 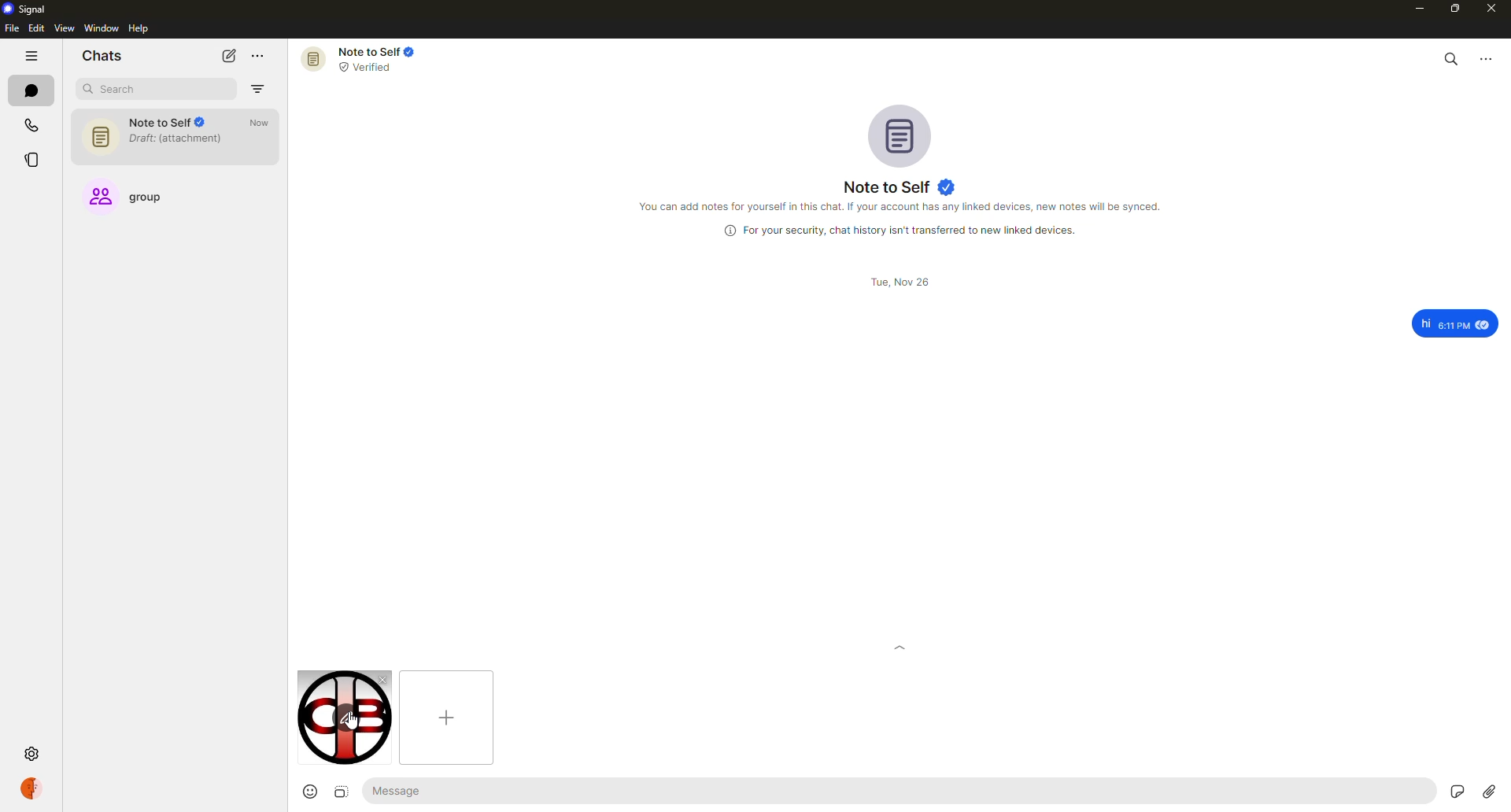 What do you see at coordinates (102, 53) in the screenshot?
I see `chats` at bounding box center [102, 53].